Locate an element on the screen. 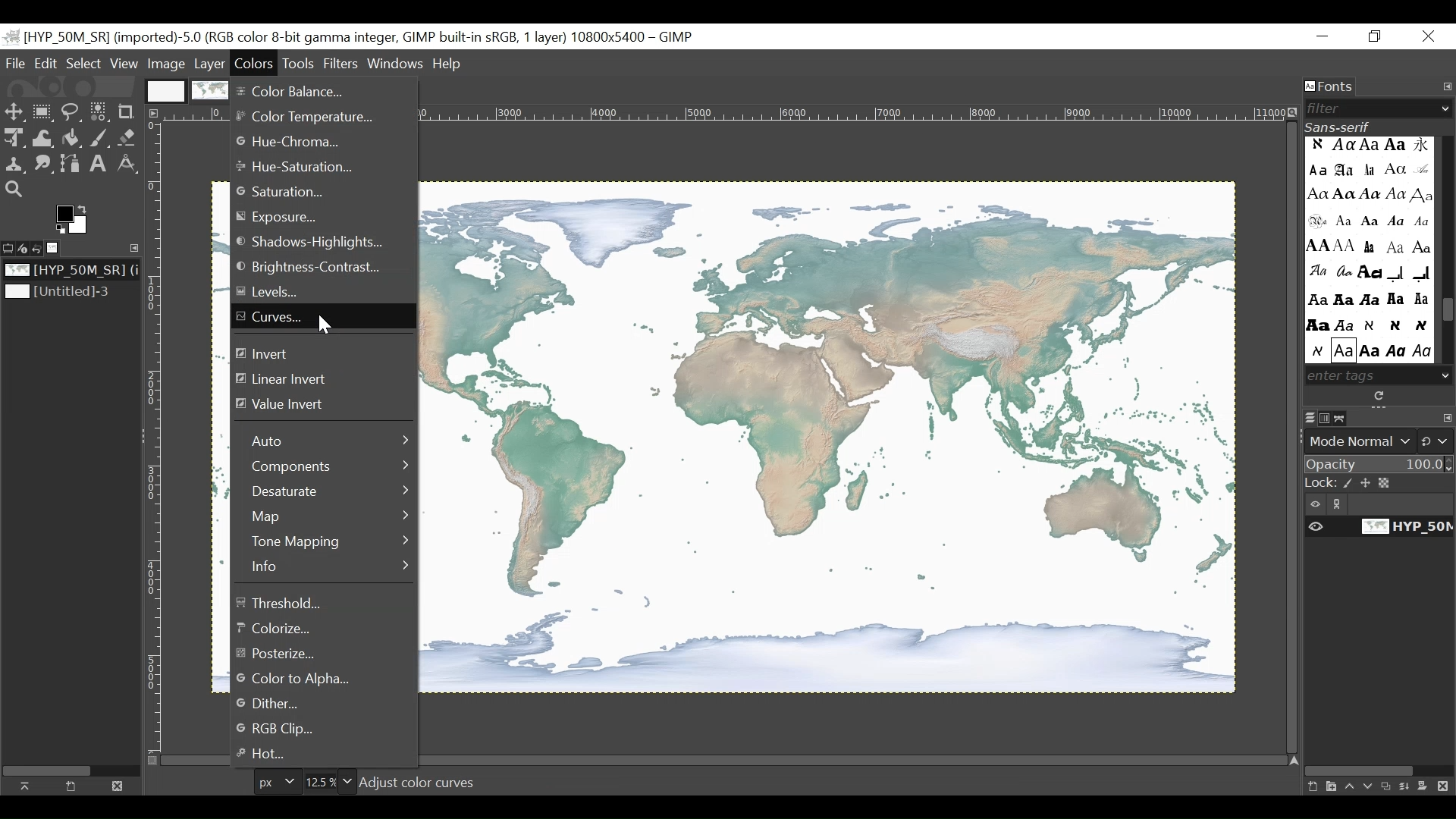 Image resolution: width=1456 pixels, height=819 pixels. Hue-Chroma is located at coordinates (312, 142).